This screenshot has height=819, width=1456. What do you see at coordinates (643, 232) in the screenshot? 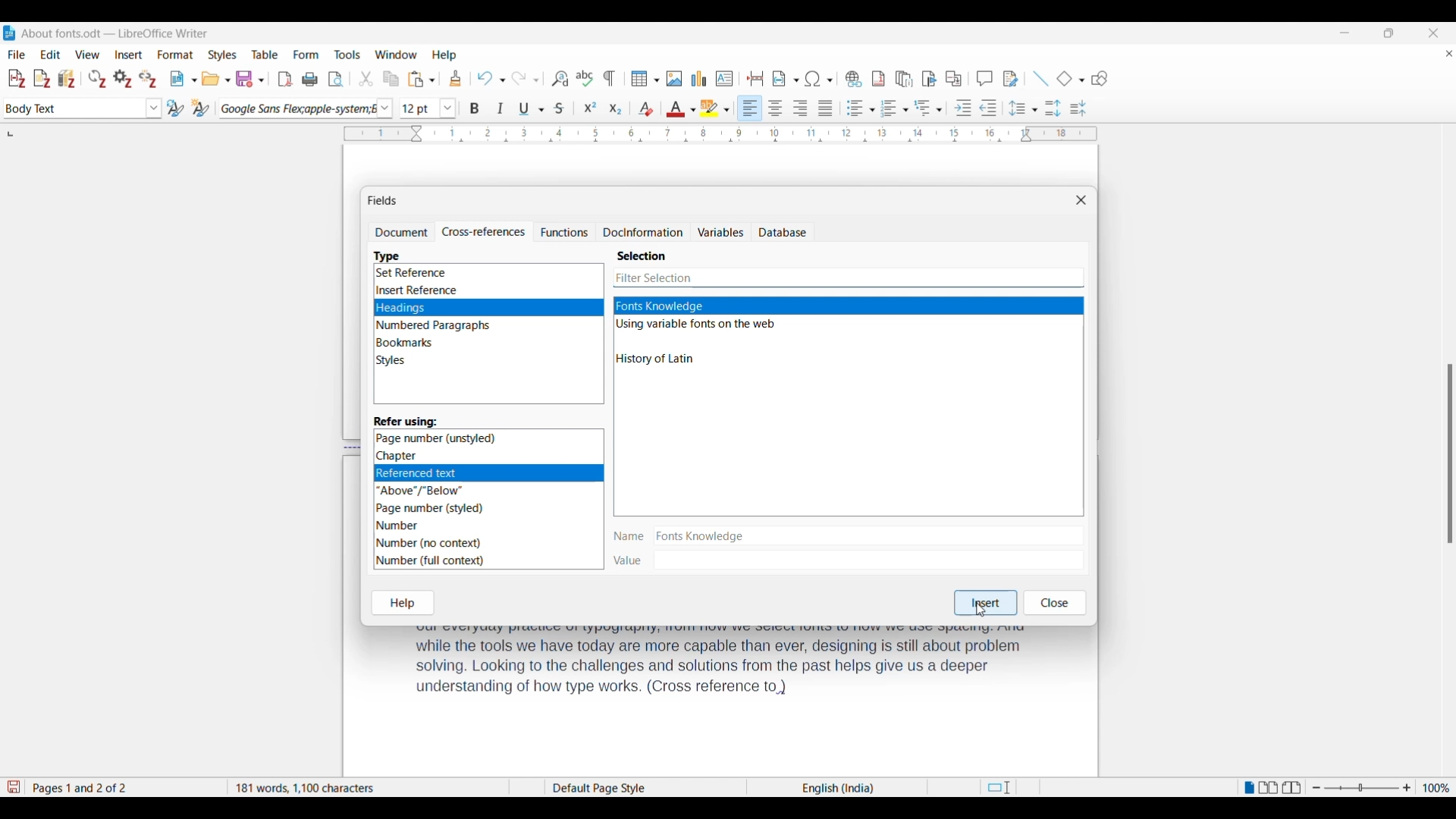
I see `Docinformation` at bounding box center [643, 232].